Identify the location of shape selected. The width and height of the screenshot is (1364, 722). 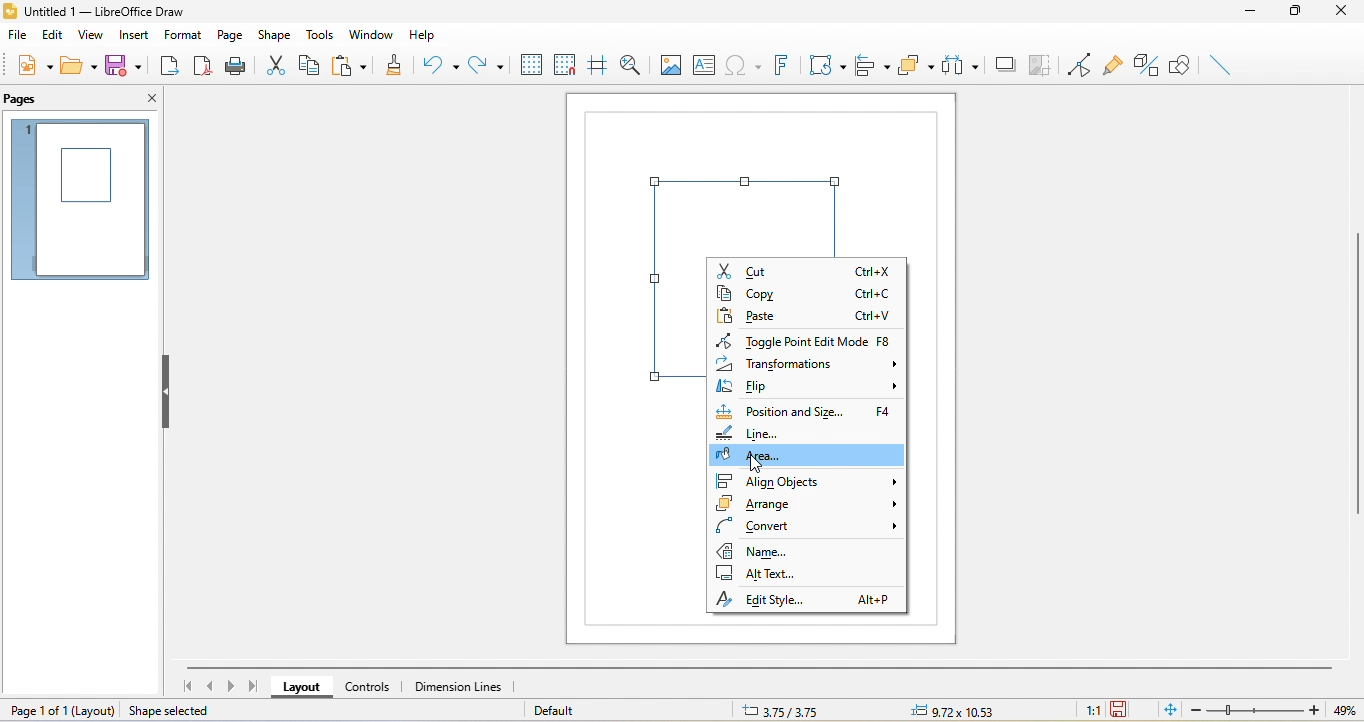
(178, 710).